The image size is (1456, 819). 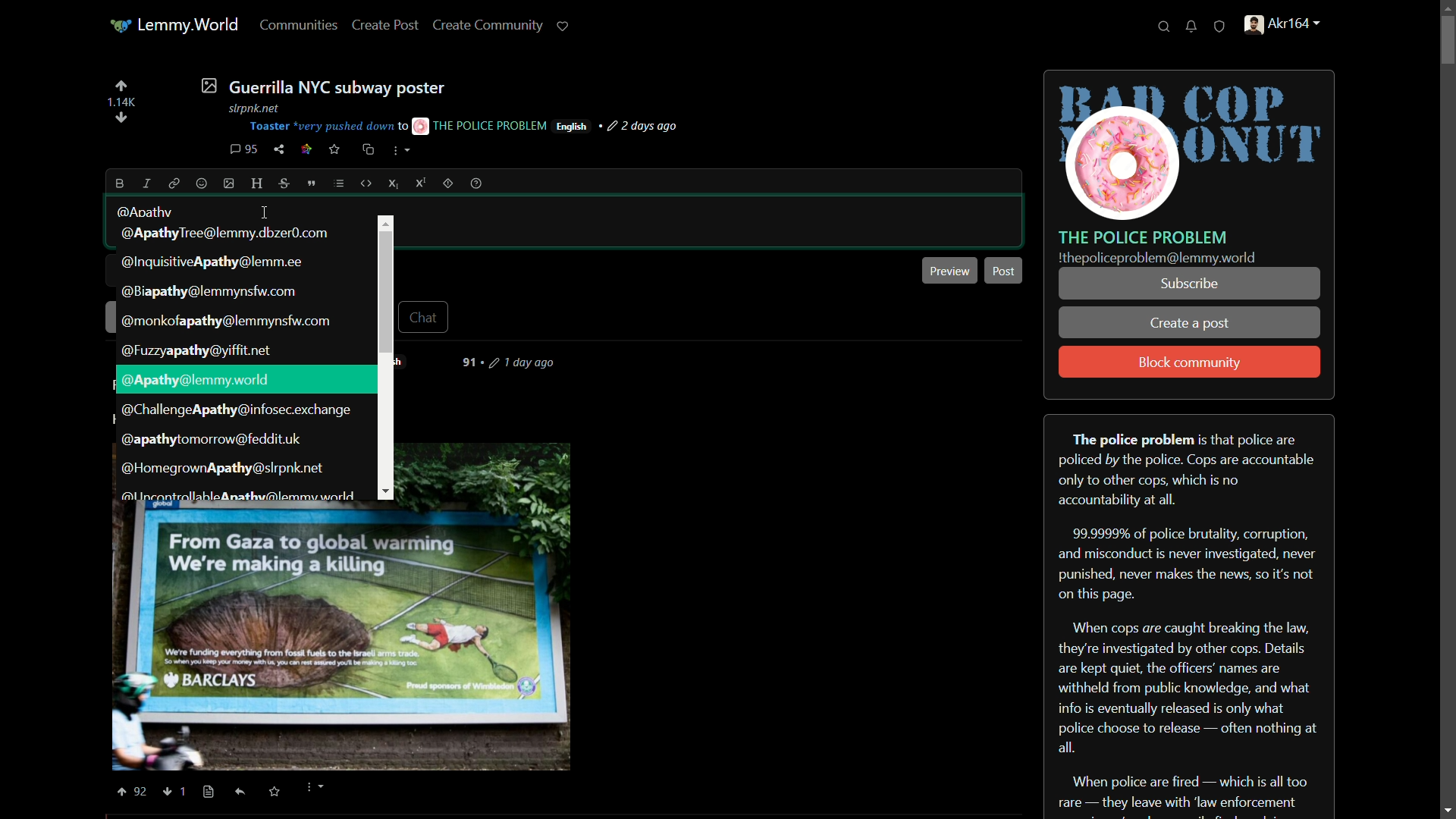 What do you see at coordinates (481, 125) in the screenshot?
I see `THE POLICE PROBLEM` at bounding box center [481, 125].